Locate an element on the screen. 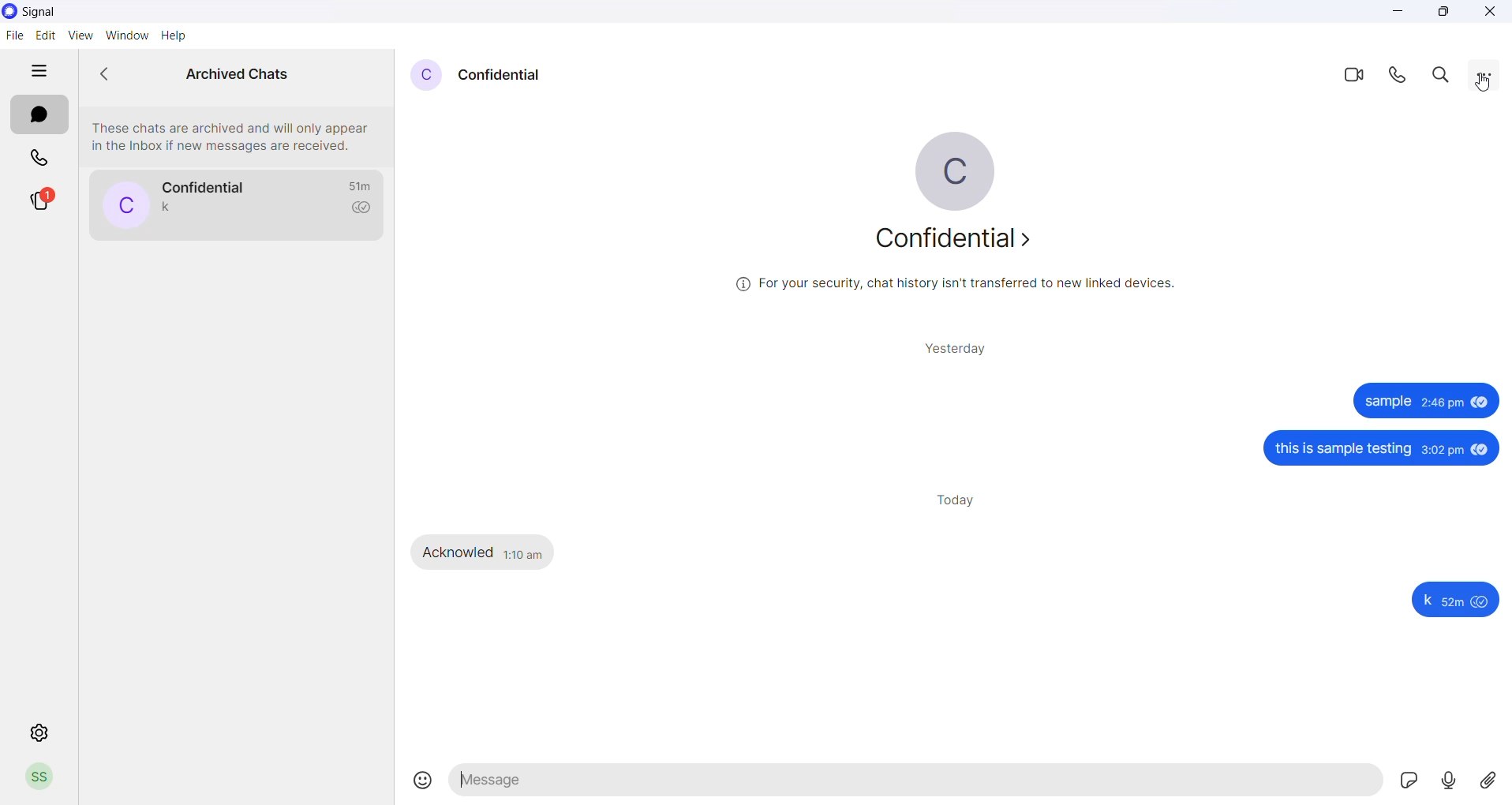 This screenshot has width=1512, height=805. 3:02pm is located at coordinates (1441, 450).